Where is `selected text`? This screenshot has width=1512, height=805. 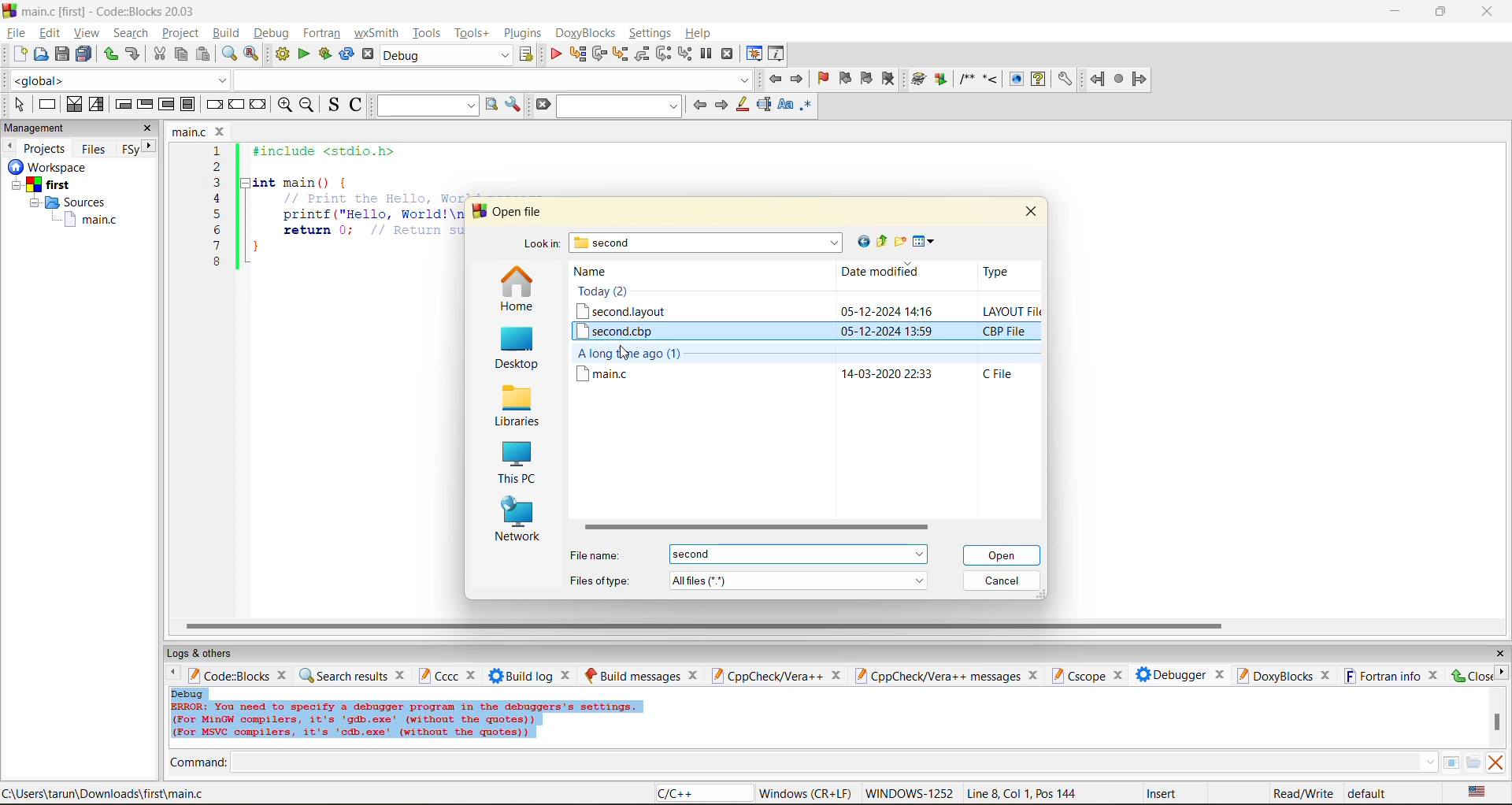
selected text is located at coordinates (764, 105).